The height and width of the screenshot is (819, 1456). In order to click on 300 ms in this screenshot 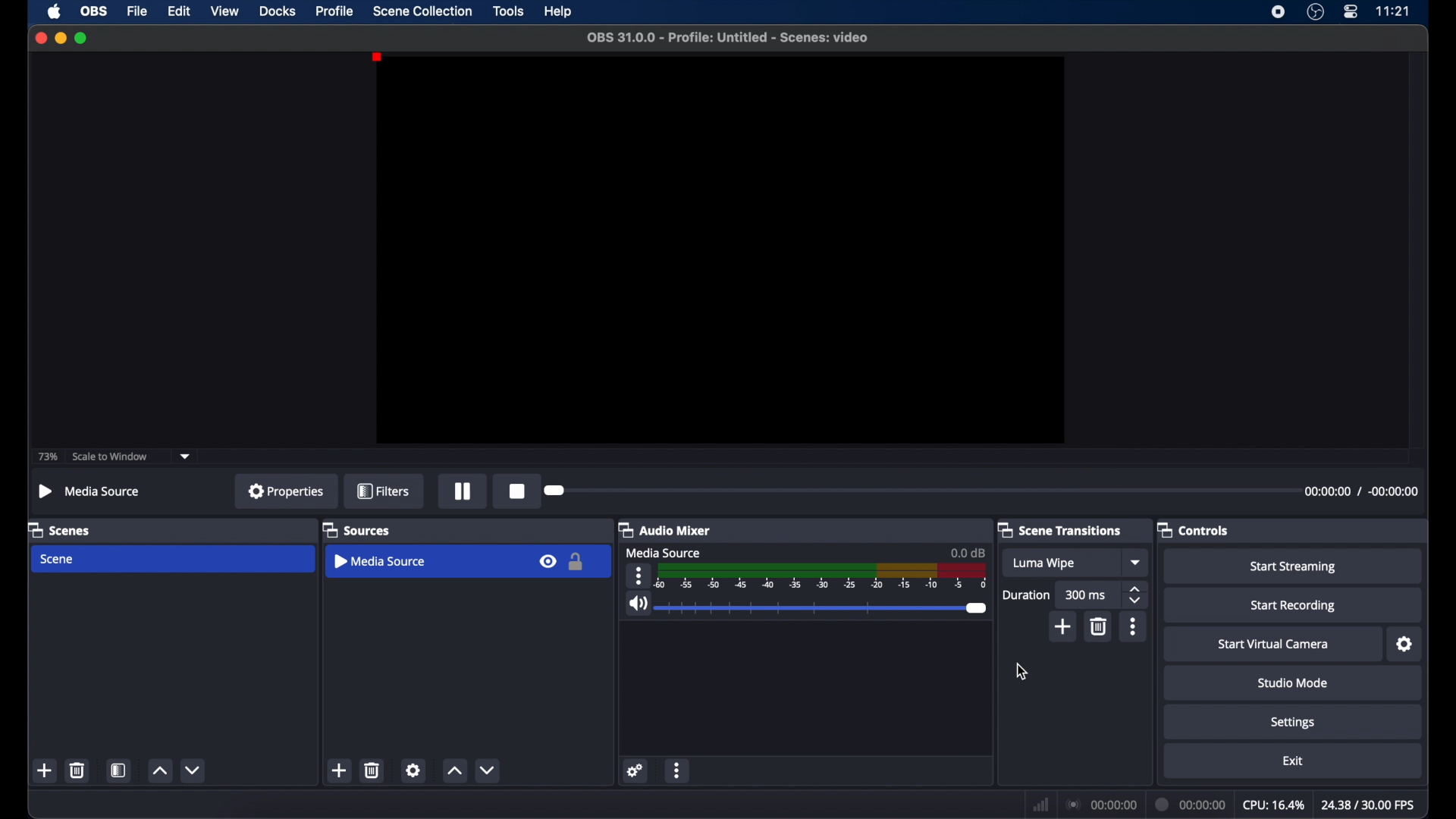, I will do `click(1086, 595)`.